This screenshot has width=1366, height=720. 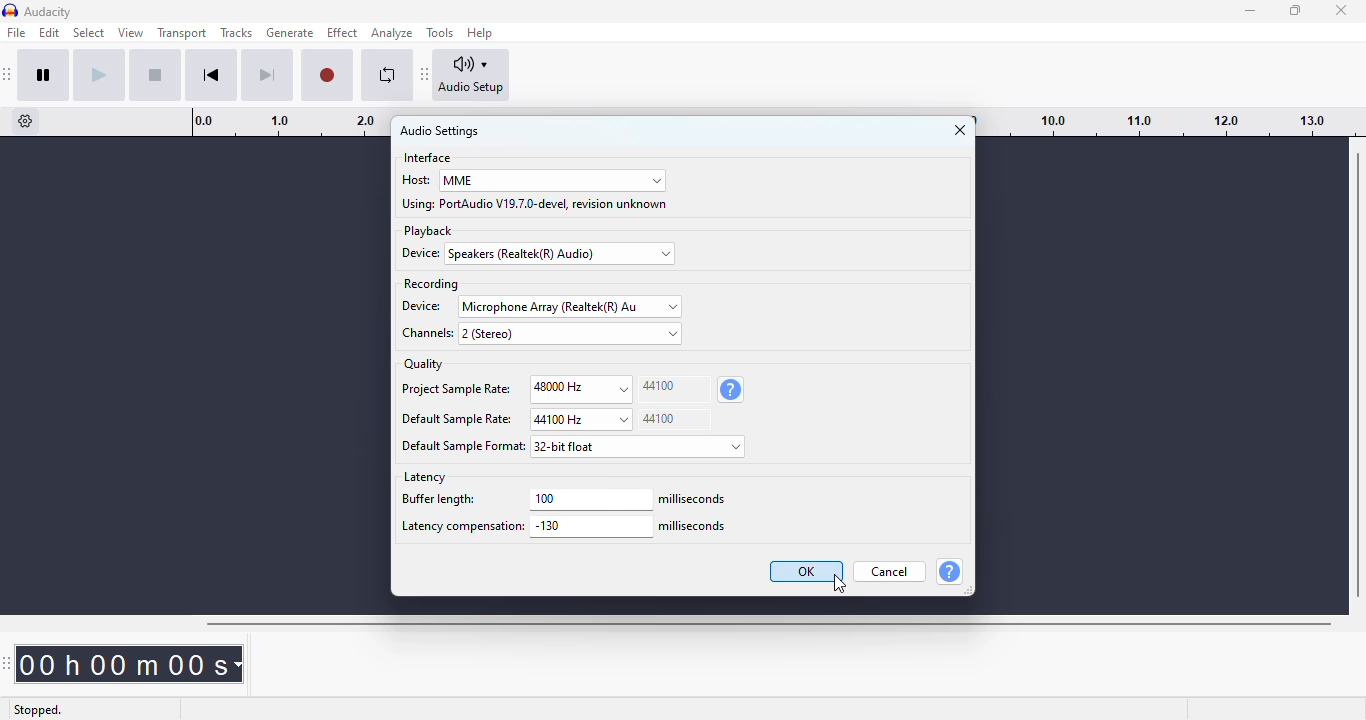 I want to click on audacity, so click(x=49, y=12).